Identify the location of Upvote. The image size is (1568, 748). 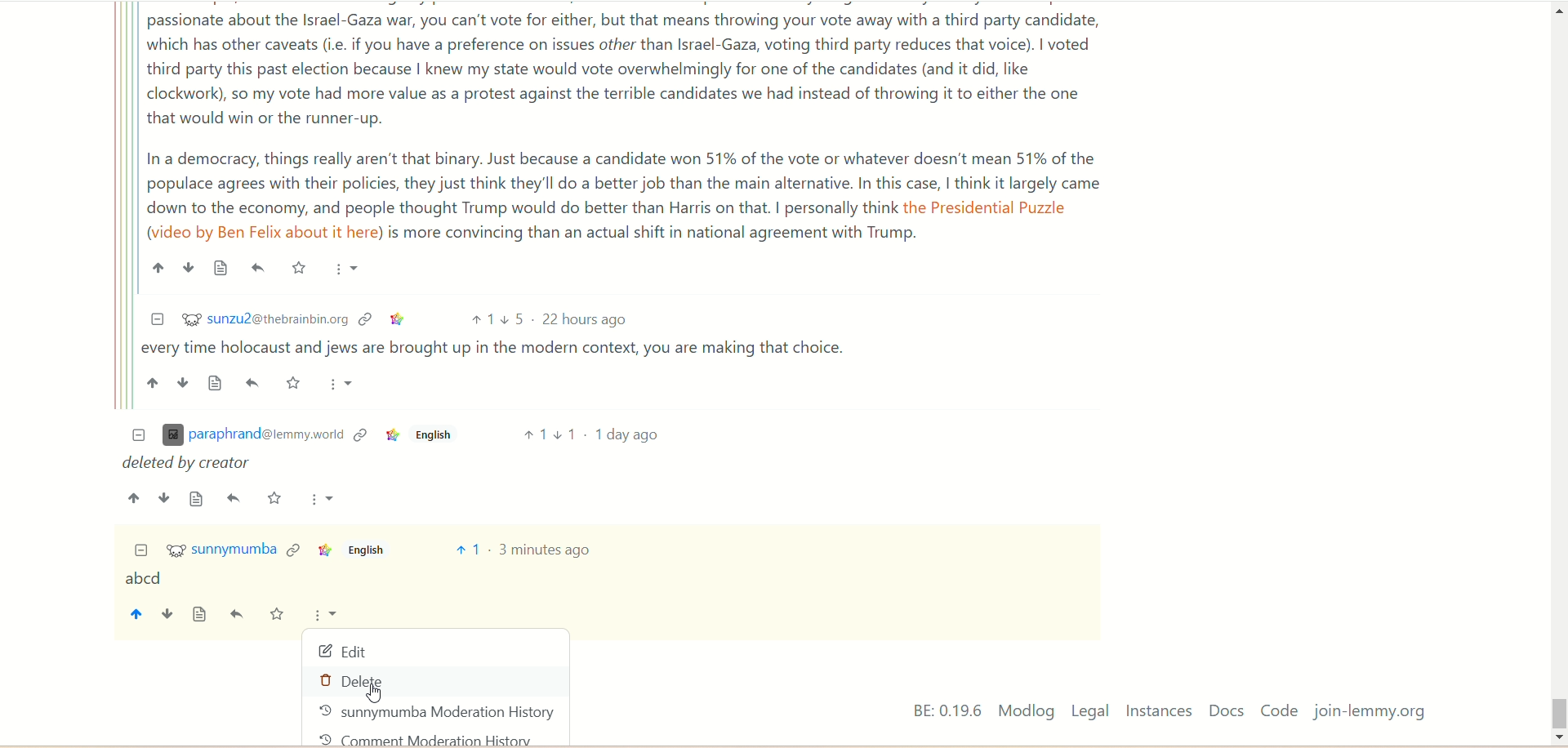
(135, 498).